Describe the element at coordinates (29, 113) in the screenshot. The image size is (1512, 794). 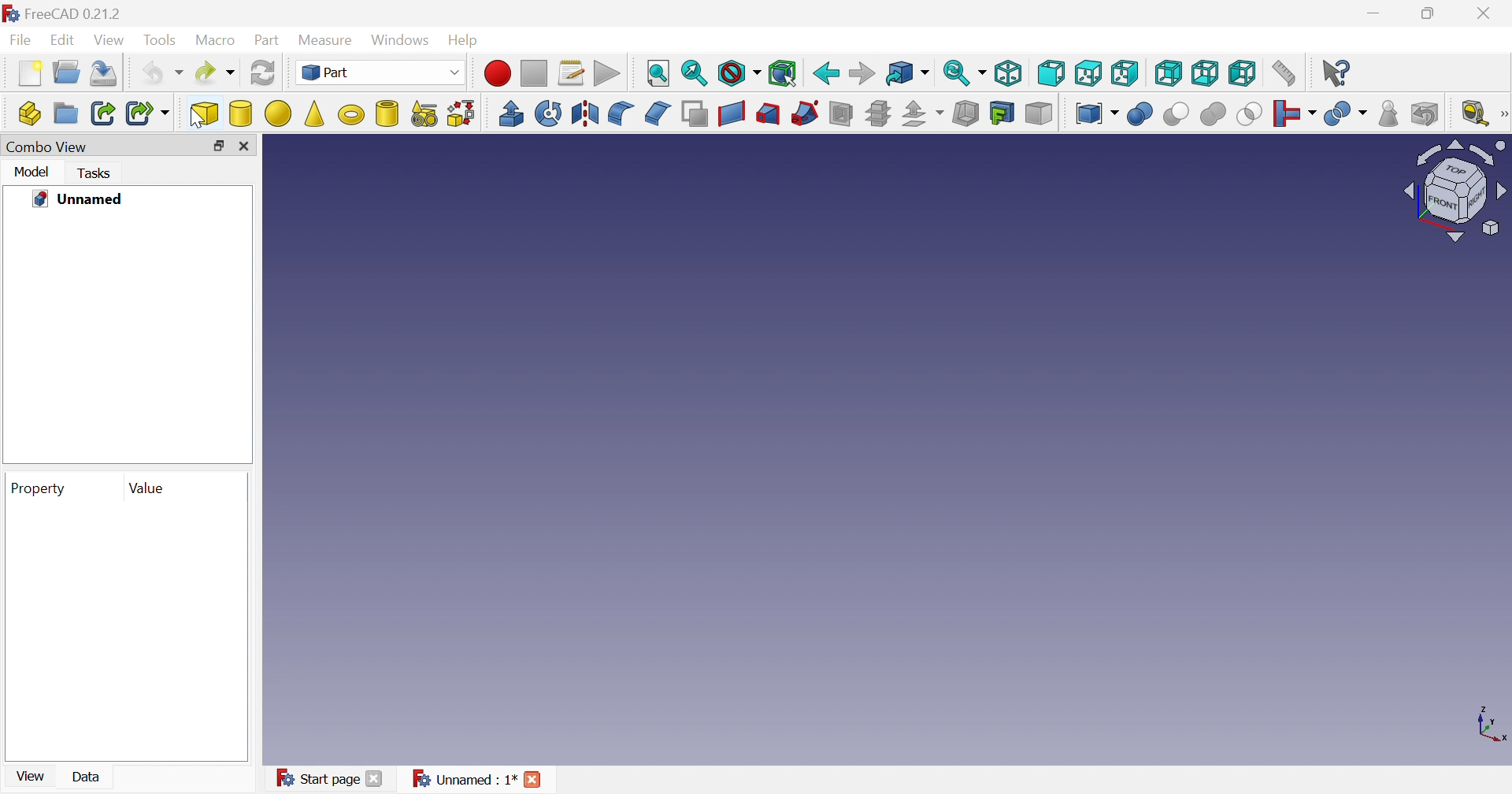
I see `Create part` at that location.